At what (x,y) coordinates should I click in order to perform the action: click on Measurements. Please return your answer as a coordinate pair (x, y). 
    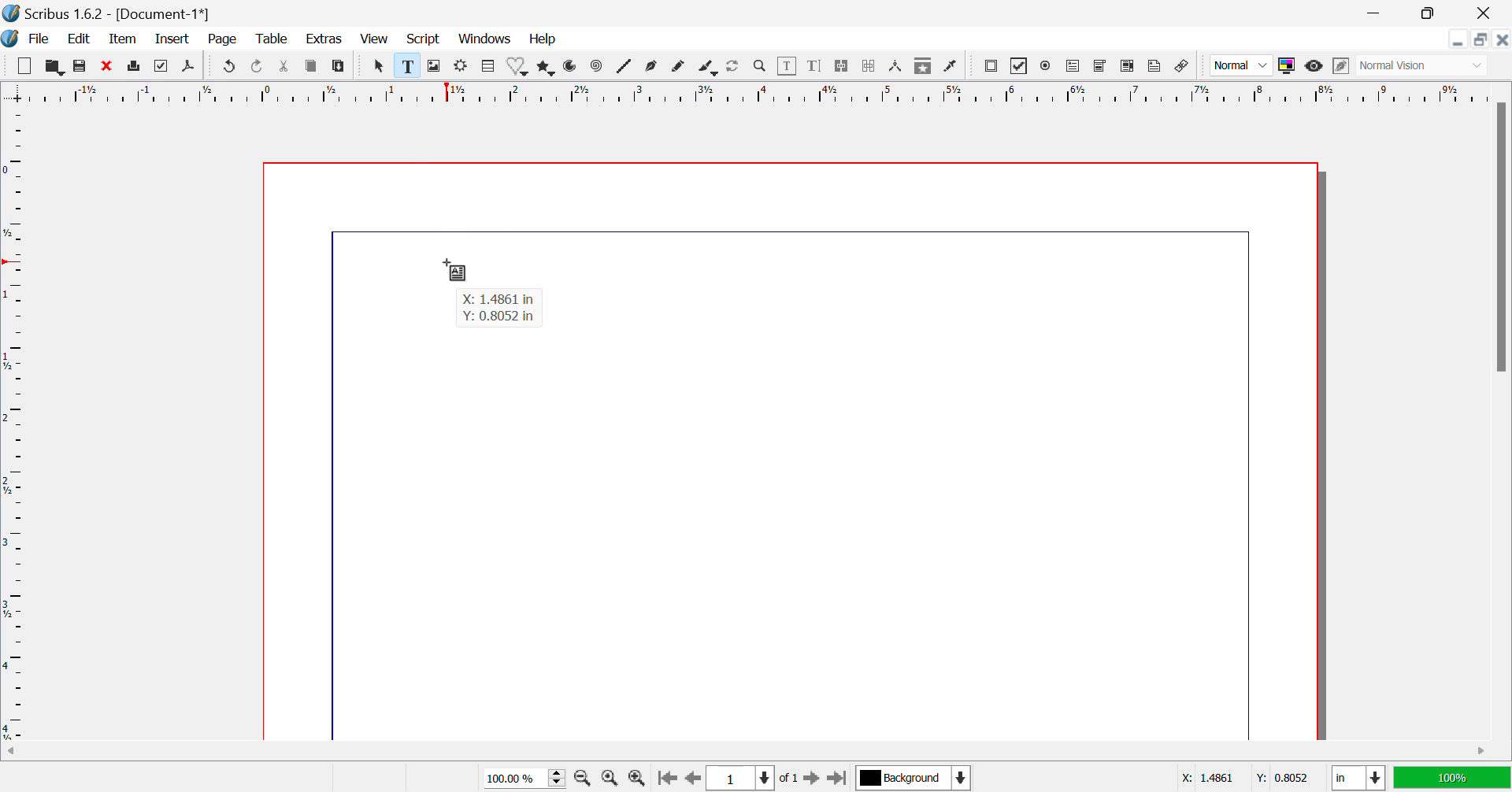
    Looking at the image, I should click on (899, 67).